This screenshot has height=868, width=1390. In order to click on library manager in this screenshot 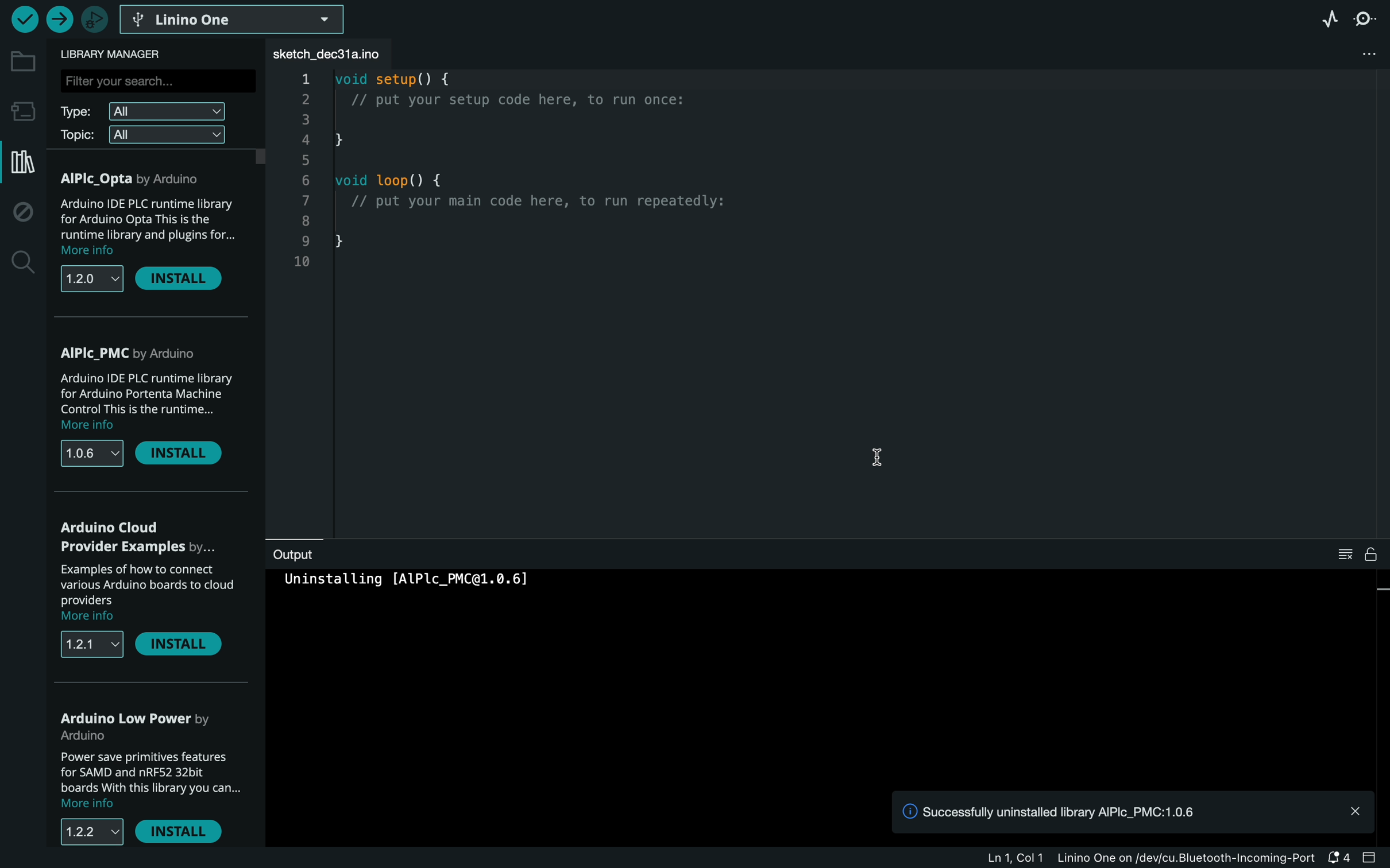, I will do `click(21, 164)`.